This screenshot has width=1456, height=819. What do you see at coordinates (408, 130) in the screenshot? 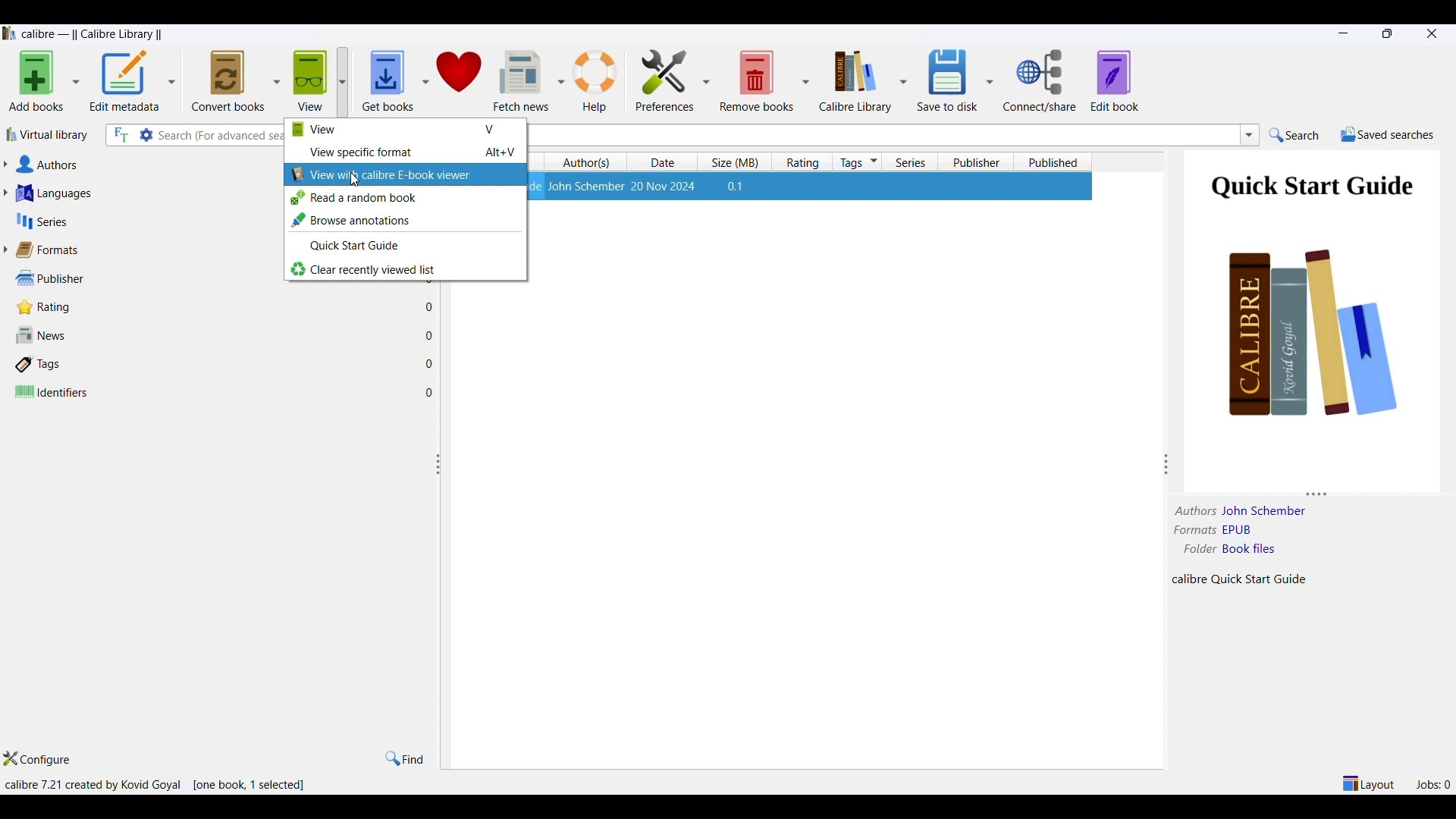
I see `view` at bounding box center [408, 130].